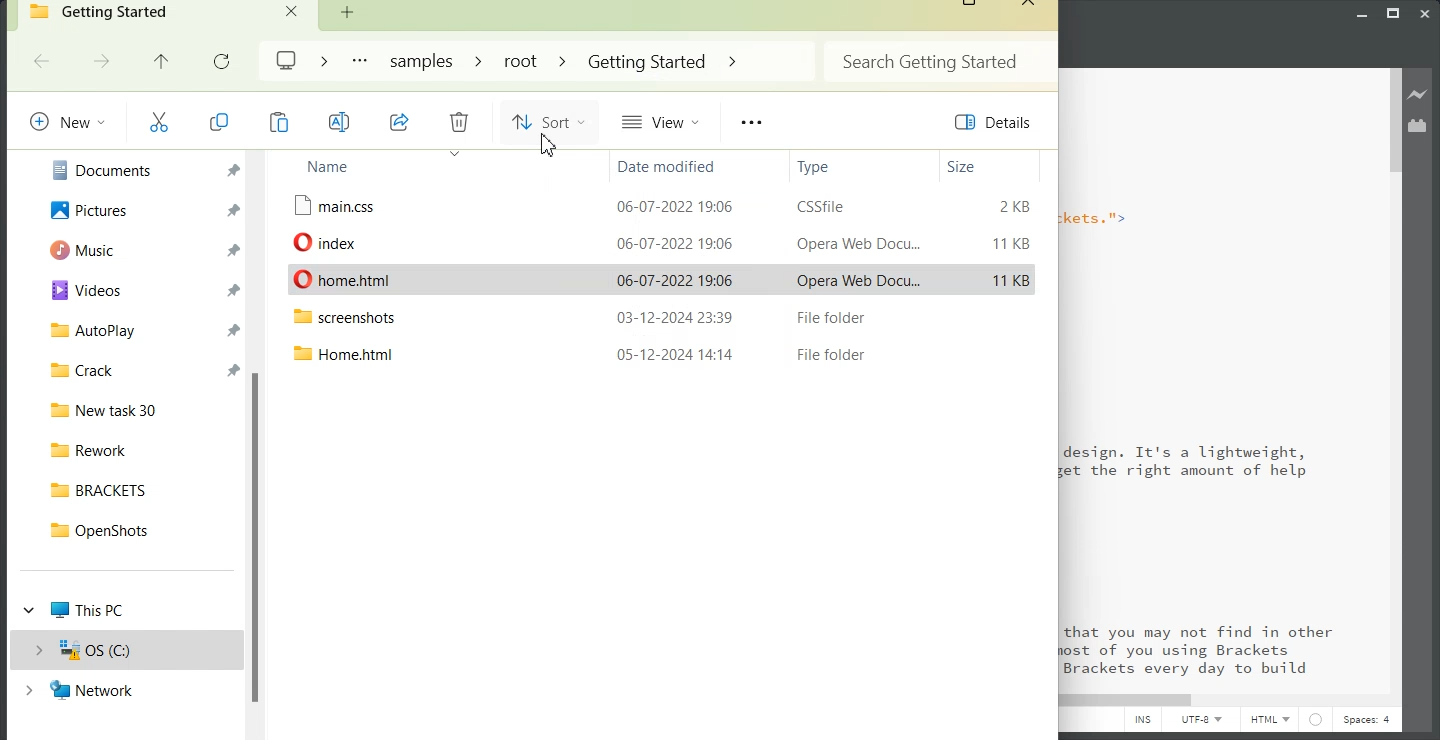  Describe the element at coordinates (1393, 379) in the screenshot. I see `Vertical Scroll bar ` at that location.